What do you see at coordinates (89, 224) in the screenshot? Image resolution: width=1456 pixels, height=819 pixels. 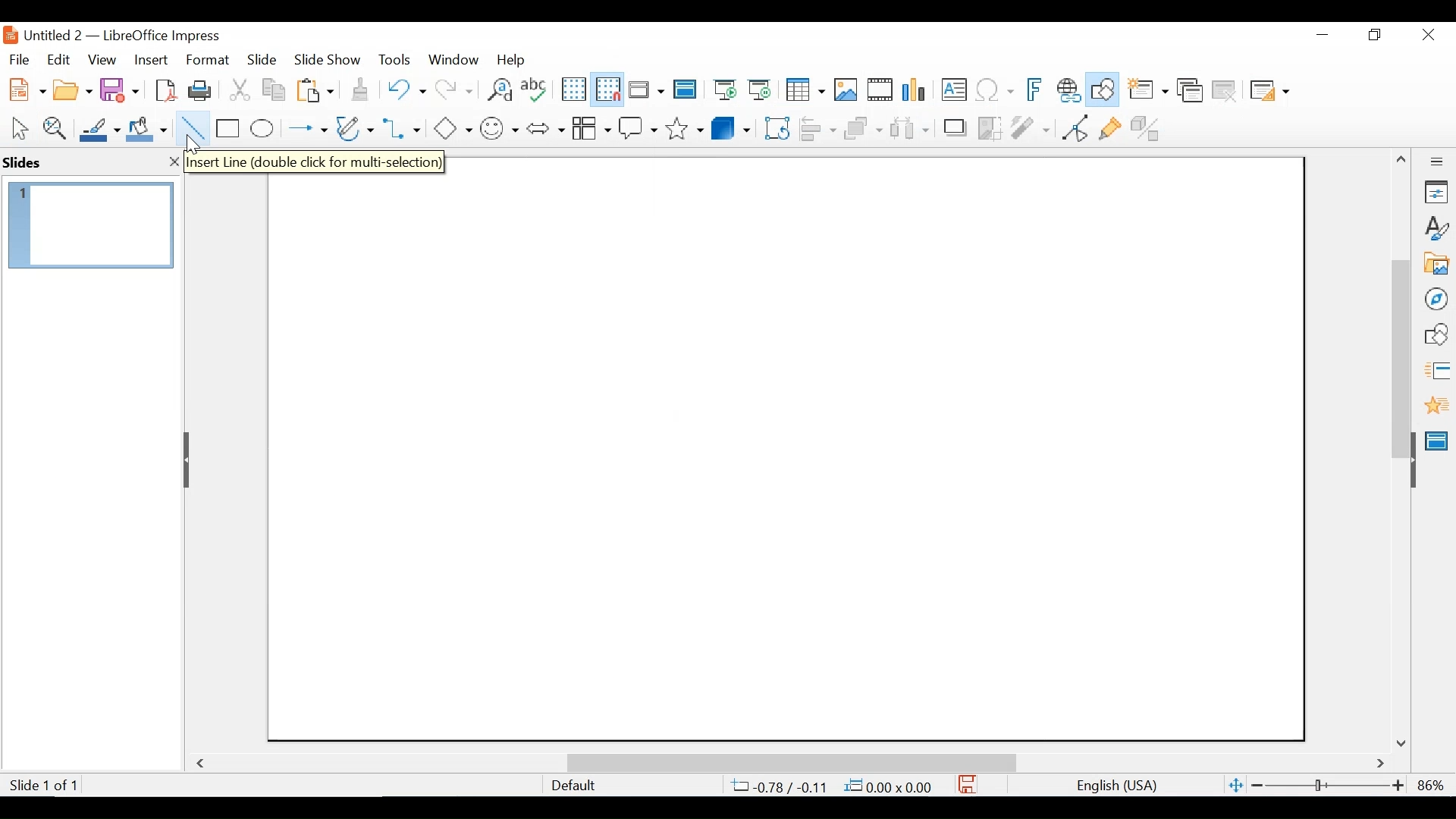 I see `Slide Preview` at bounding box center [89, 224].